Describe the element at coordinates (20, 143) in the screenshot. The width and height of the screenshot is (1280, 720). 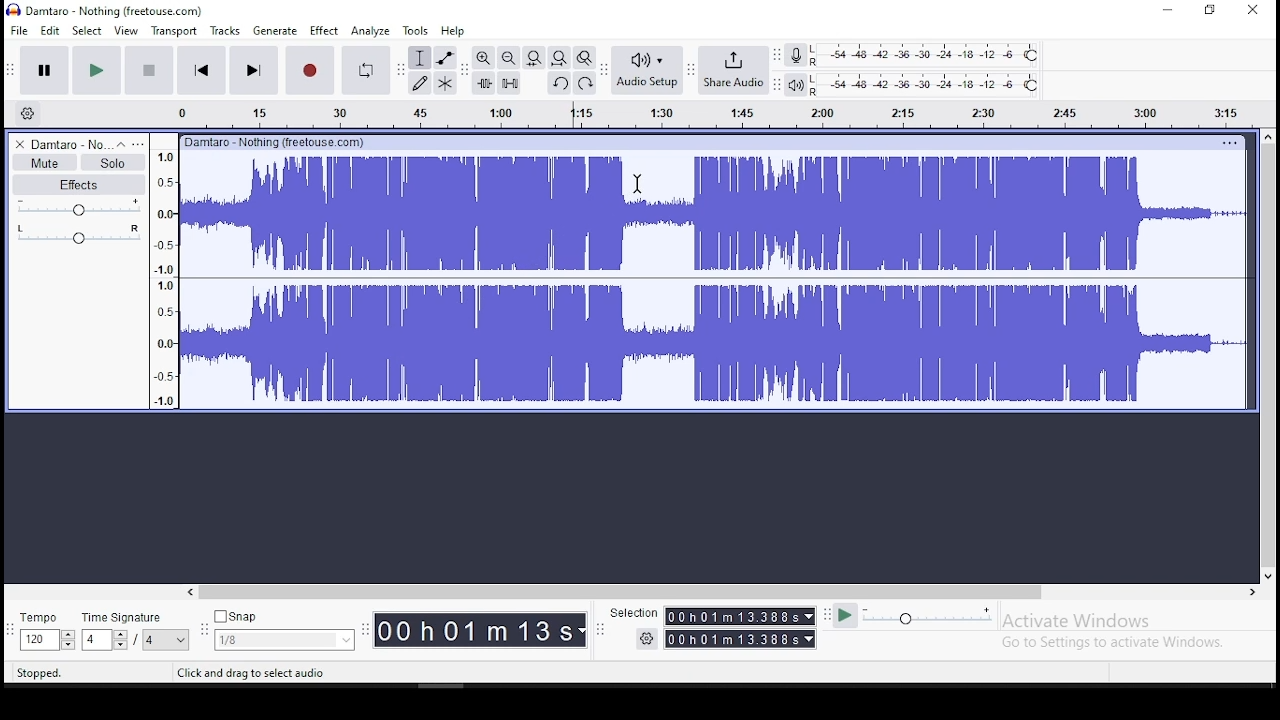
I see `delete track` at that location.